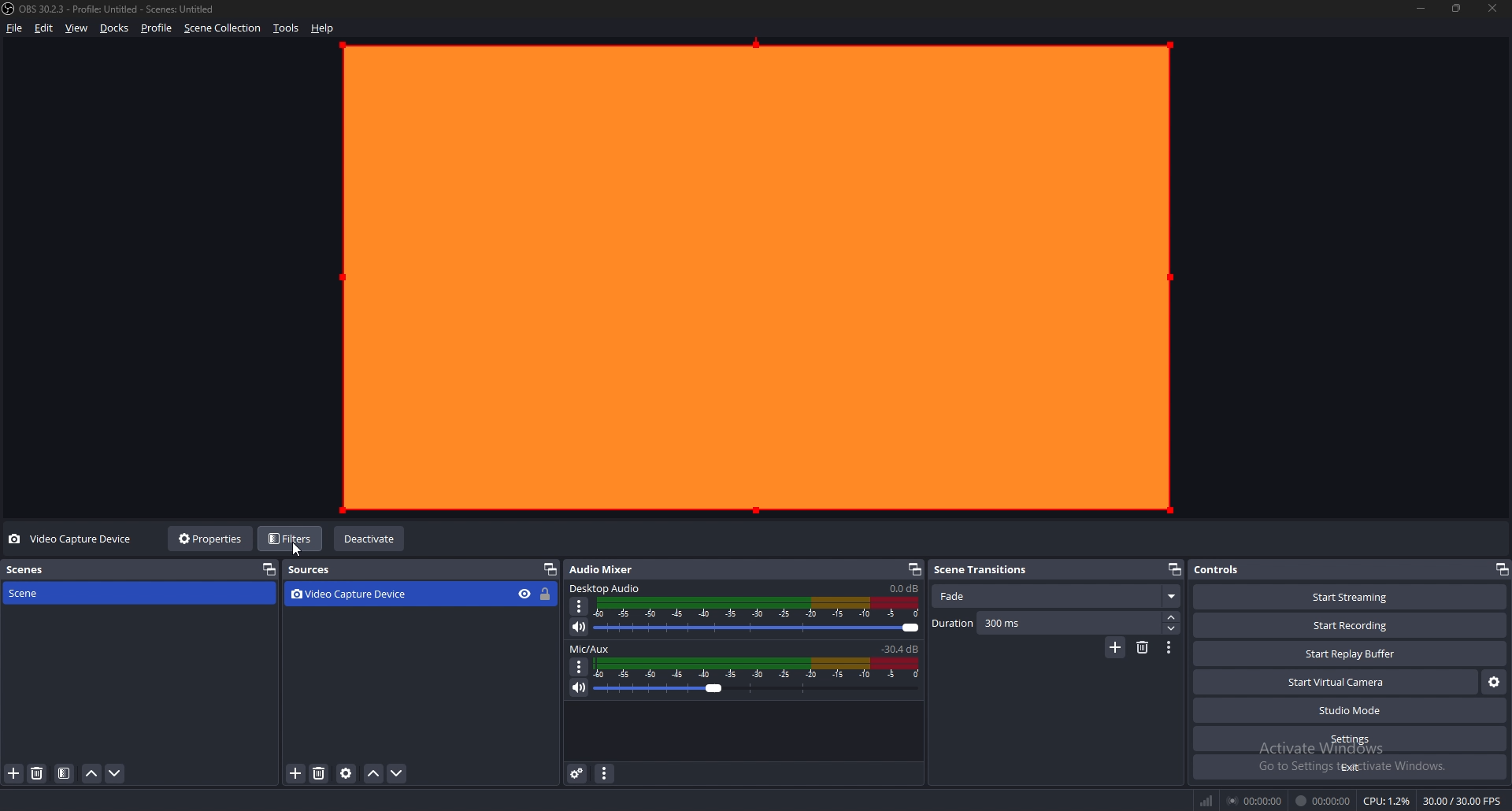  What do you see at coordinates (122, 10) in the screenshot?
I see `OBS 30.2.3 - Profile: Untitled - Scenes: Untitled` at bounding box center [122, 10].